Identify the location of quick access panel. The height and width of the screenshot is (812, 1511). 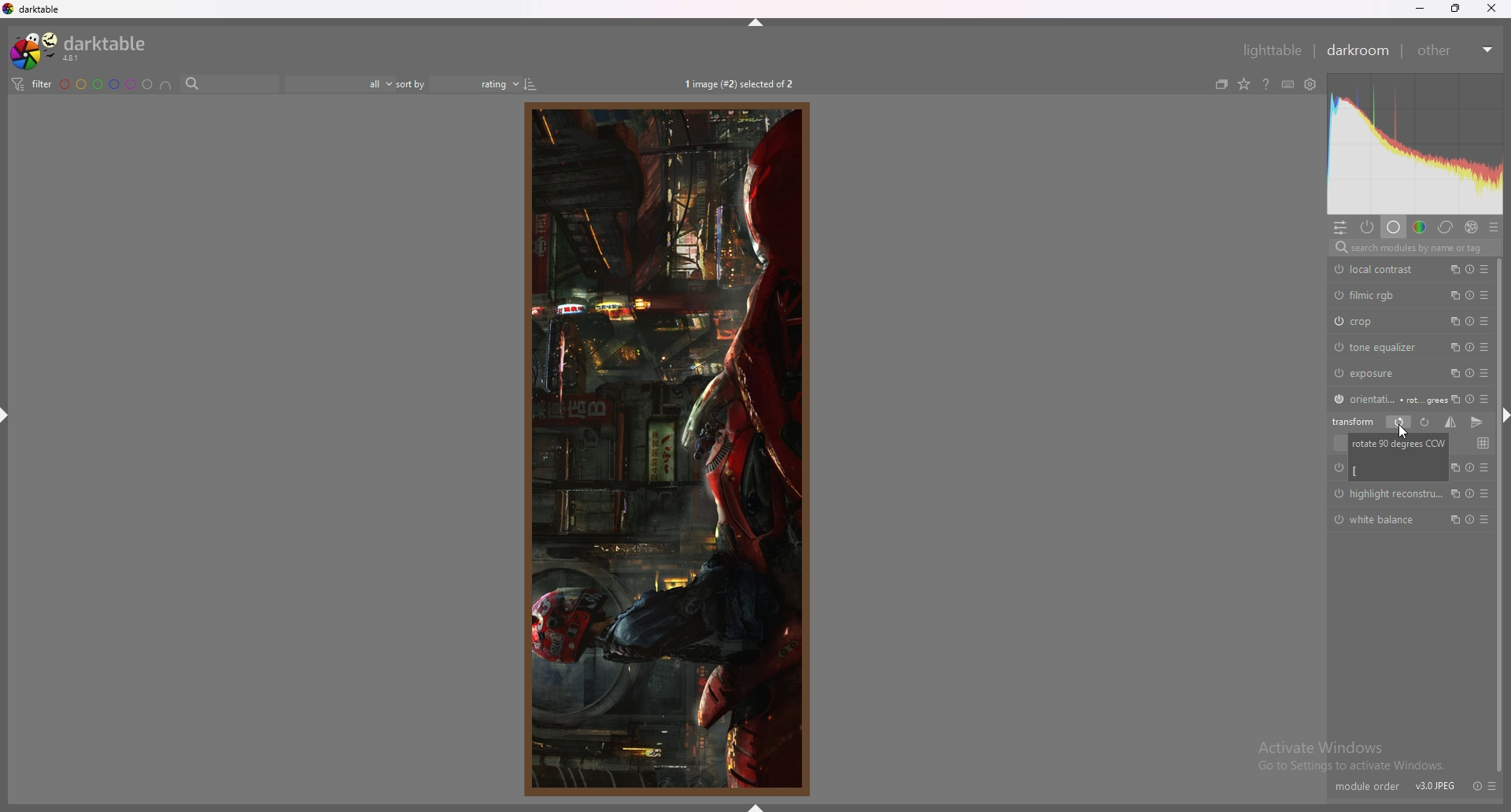
(1340, 227).